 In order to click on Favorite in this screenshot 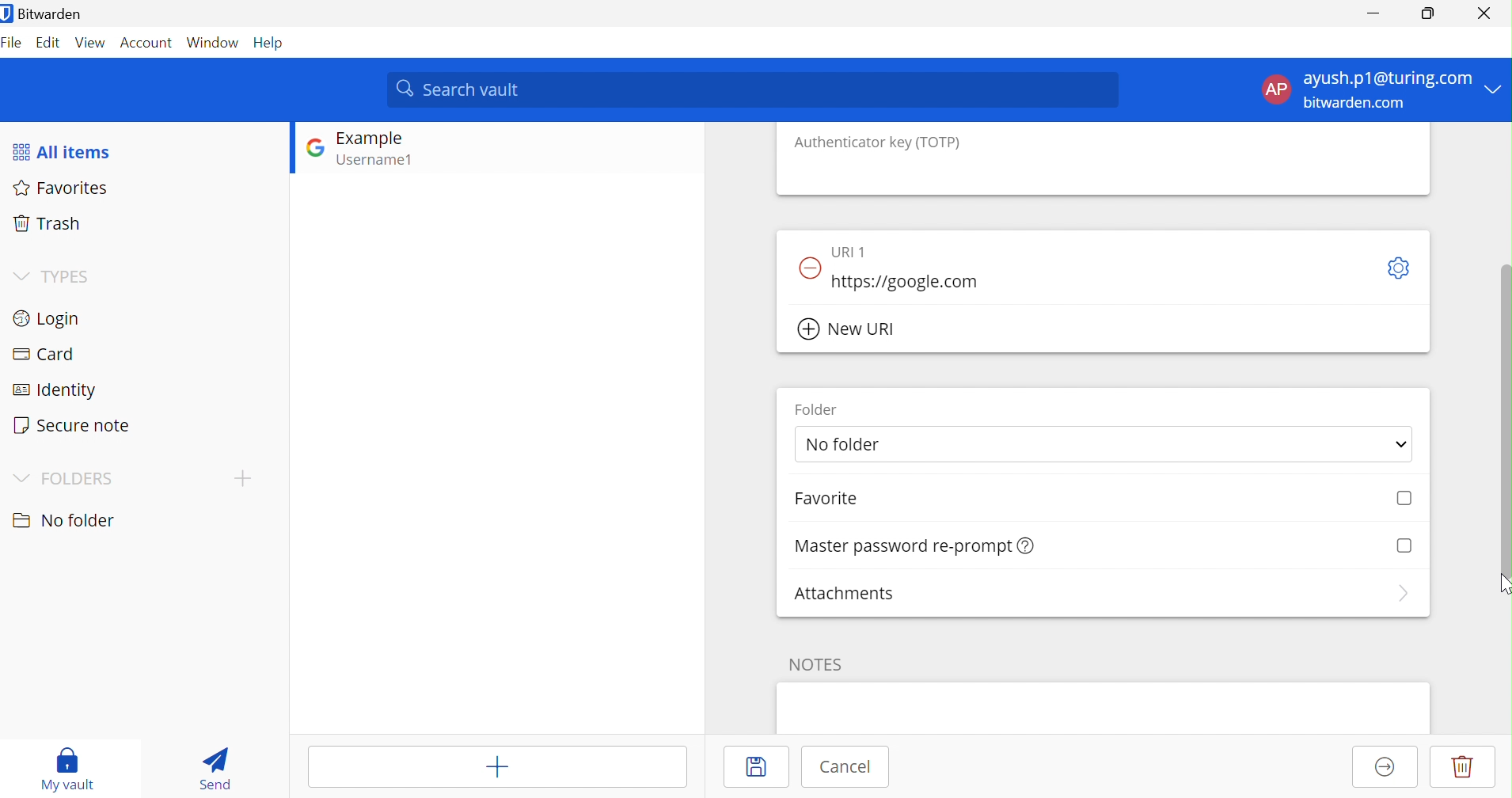, I will do `click(826, 498)`.